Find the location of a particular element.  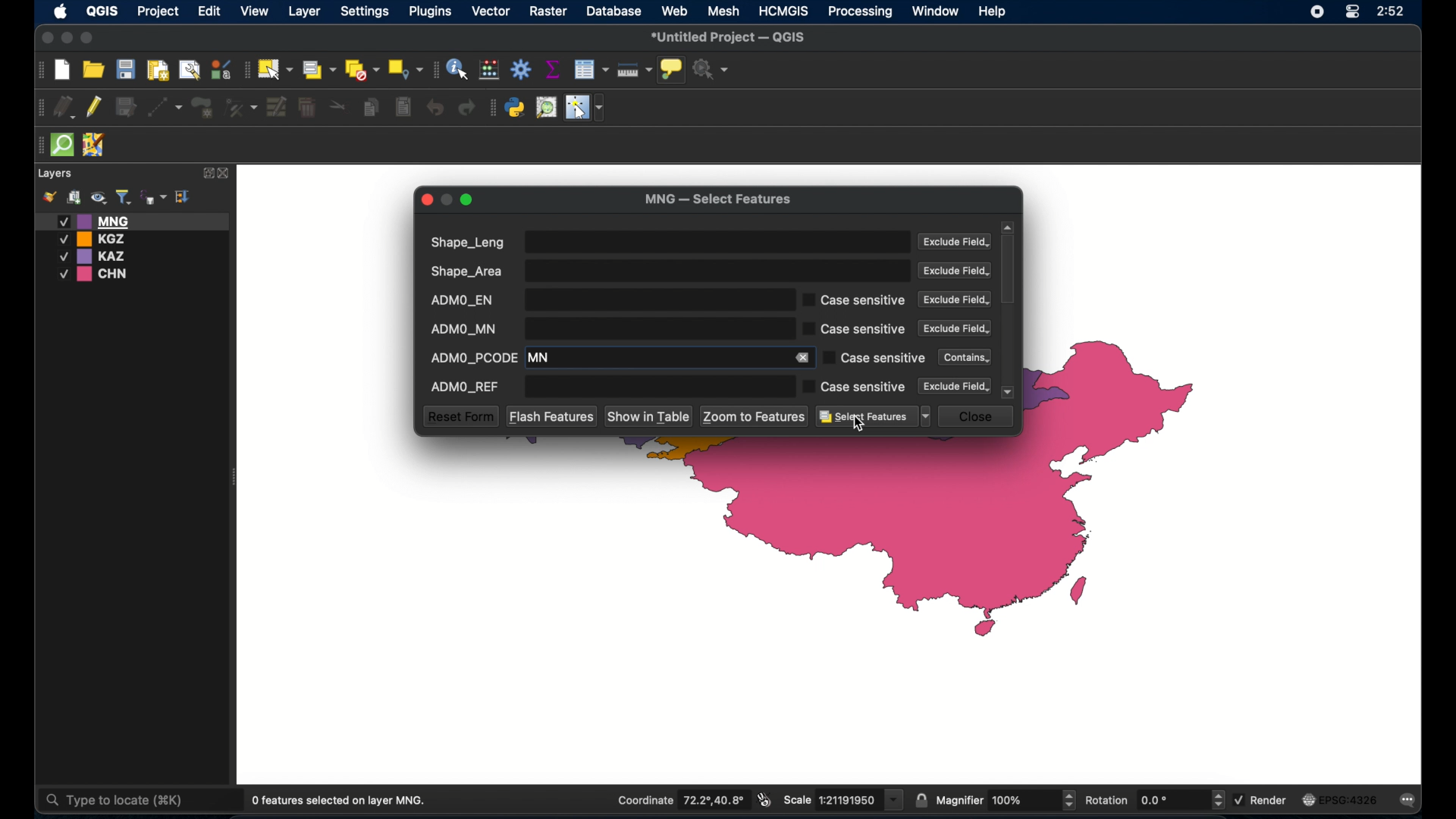

messages is located at coordinates (1410, 801).